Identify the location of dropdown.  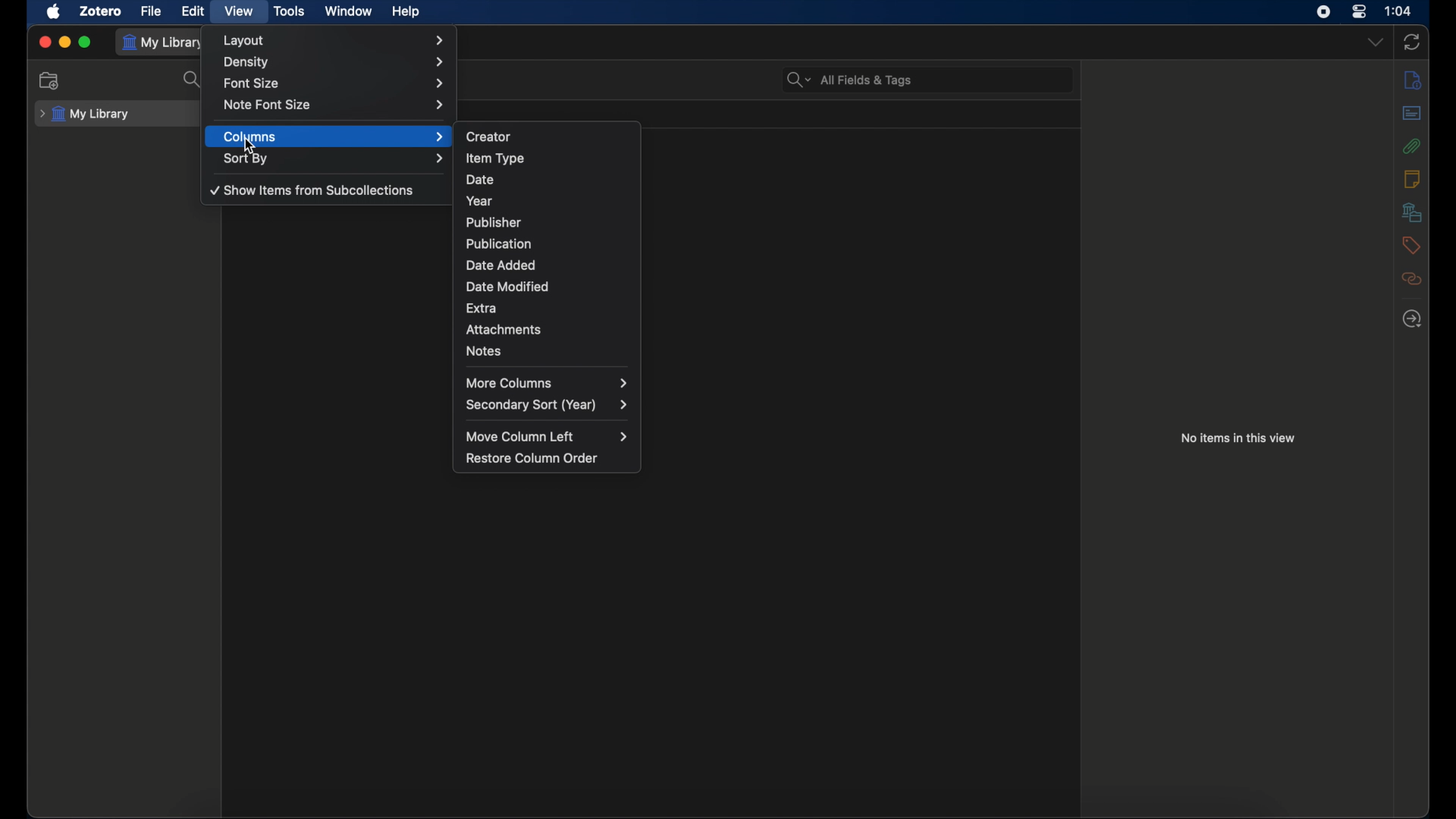
(1375, 42).